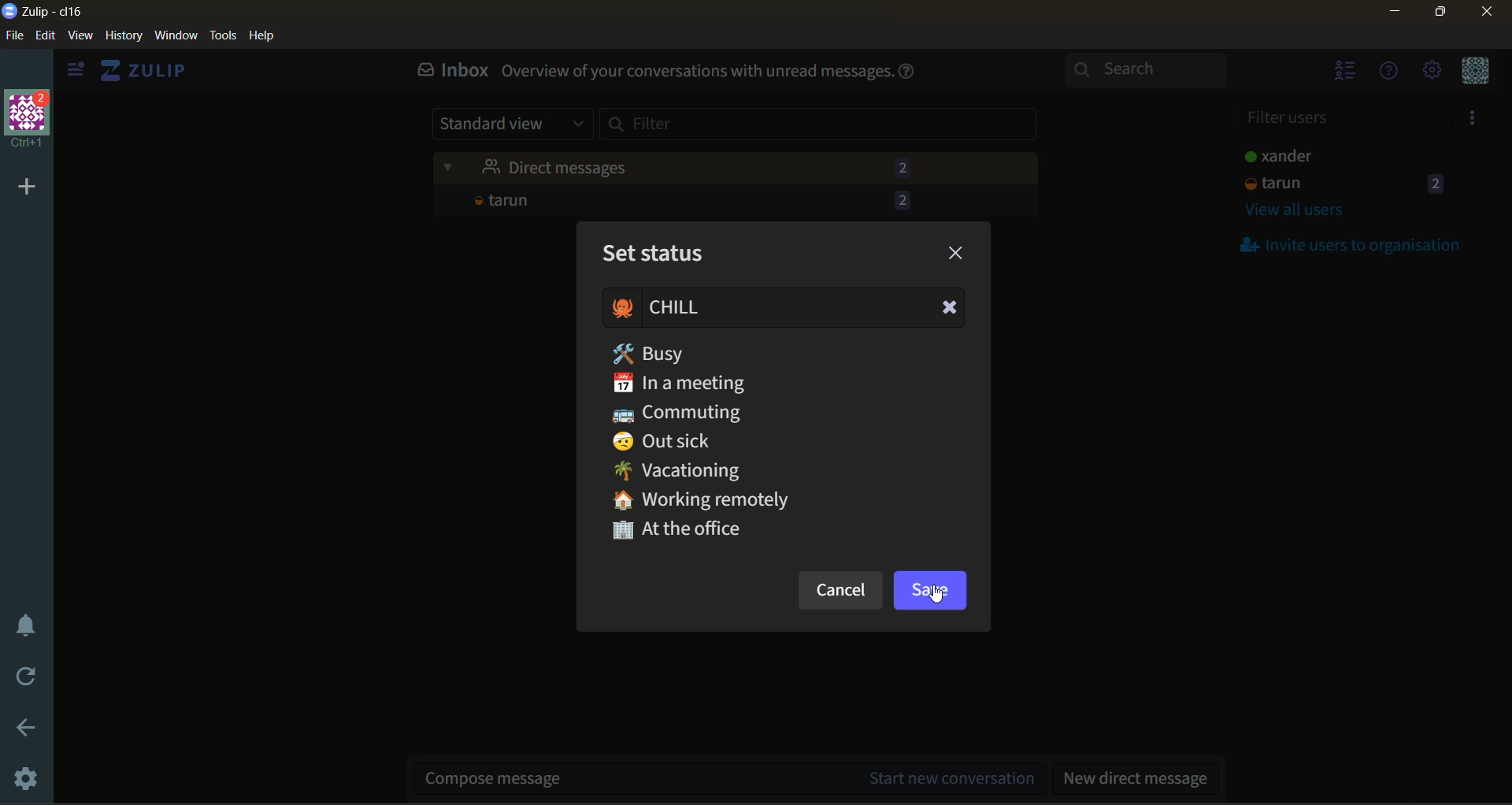 The image size is (1512, 805). What do you see at coordinates (717, 499) in the screenshot?
I see `Working remotely` at bounding box center [717, 499].